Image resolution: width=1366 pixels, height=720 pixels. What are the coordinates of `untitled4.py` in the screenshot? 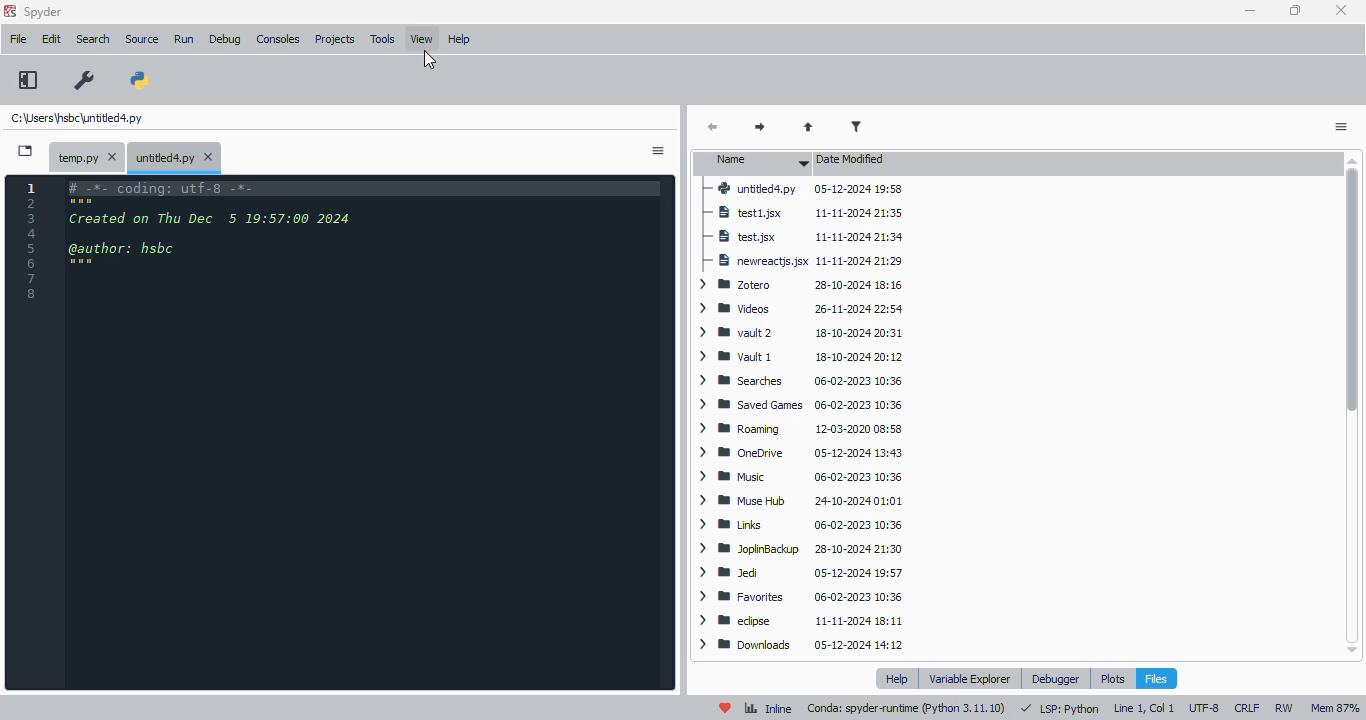 It's located at (174, 158).